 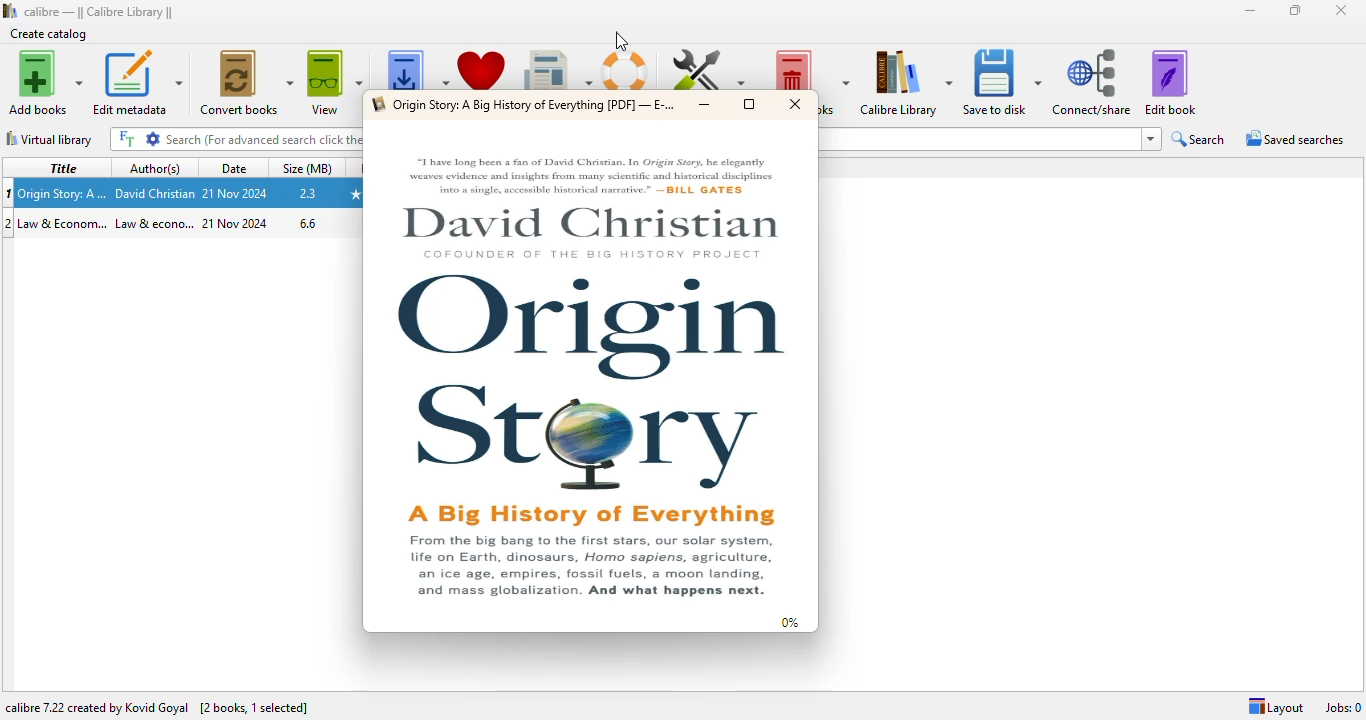 I want to click on calibre library, so click(x=906, y=83).